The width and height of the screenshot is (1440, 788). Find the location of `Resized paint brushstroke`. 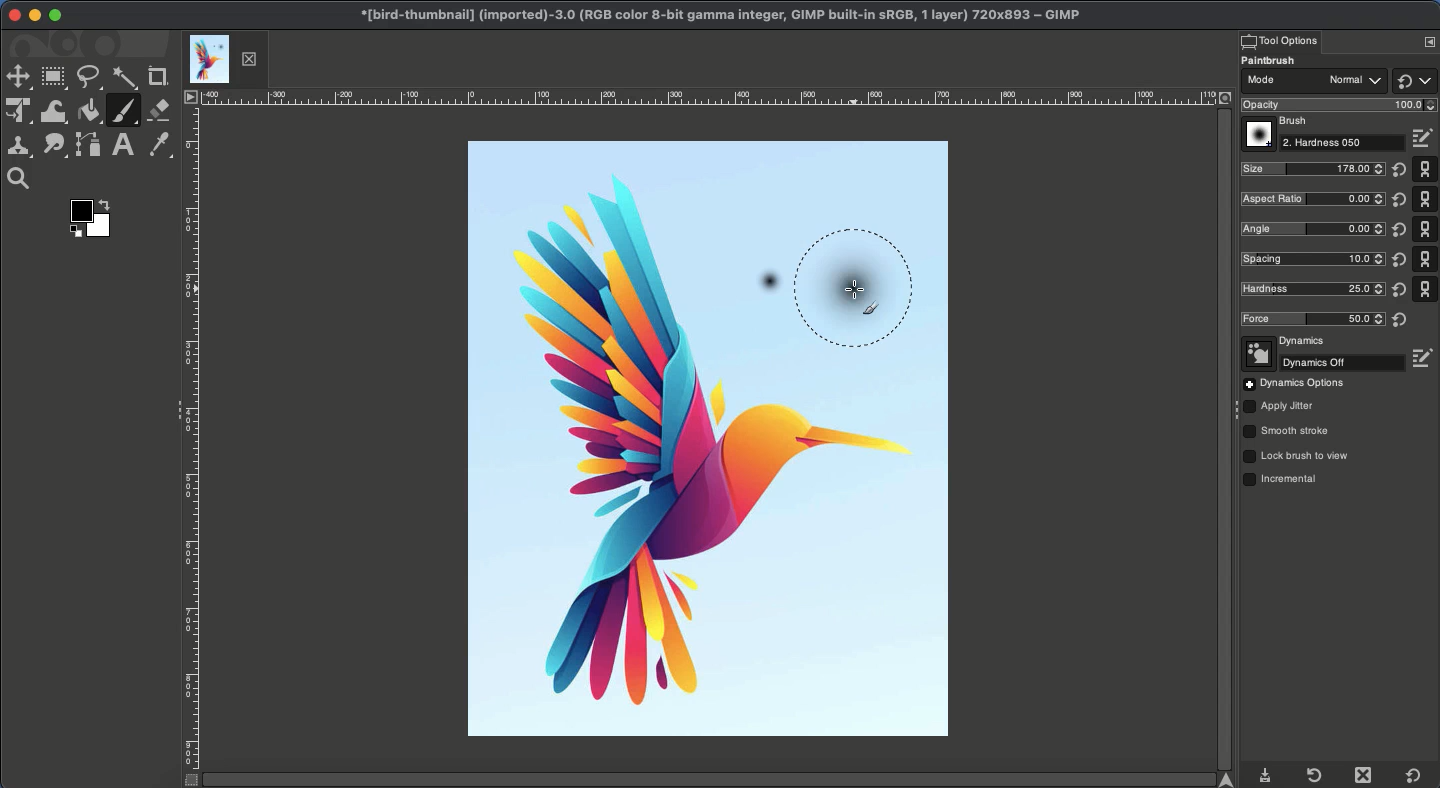

Resized paint brushstroke is located at coordinates (872, 287).